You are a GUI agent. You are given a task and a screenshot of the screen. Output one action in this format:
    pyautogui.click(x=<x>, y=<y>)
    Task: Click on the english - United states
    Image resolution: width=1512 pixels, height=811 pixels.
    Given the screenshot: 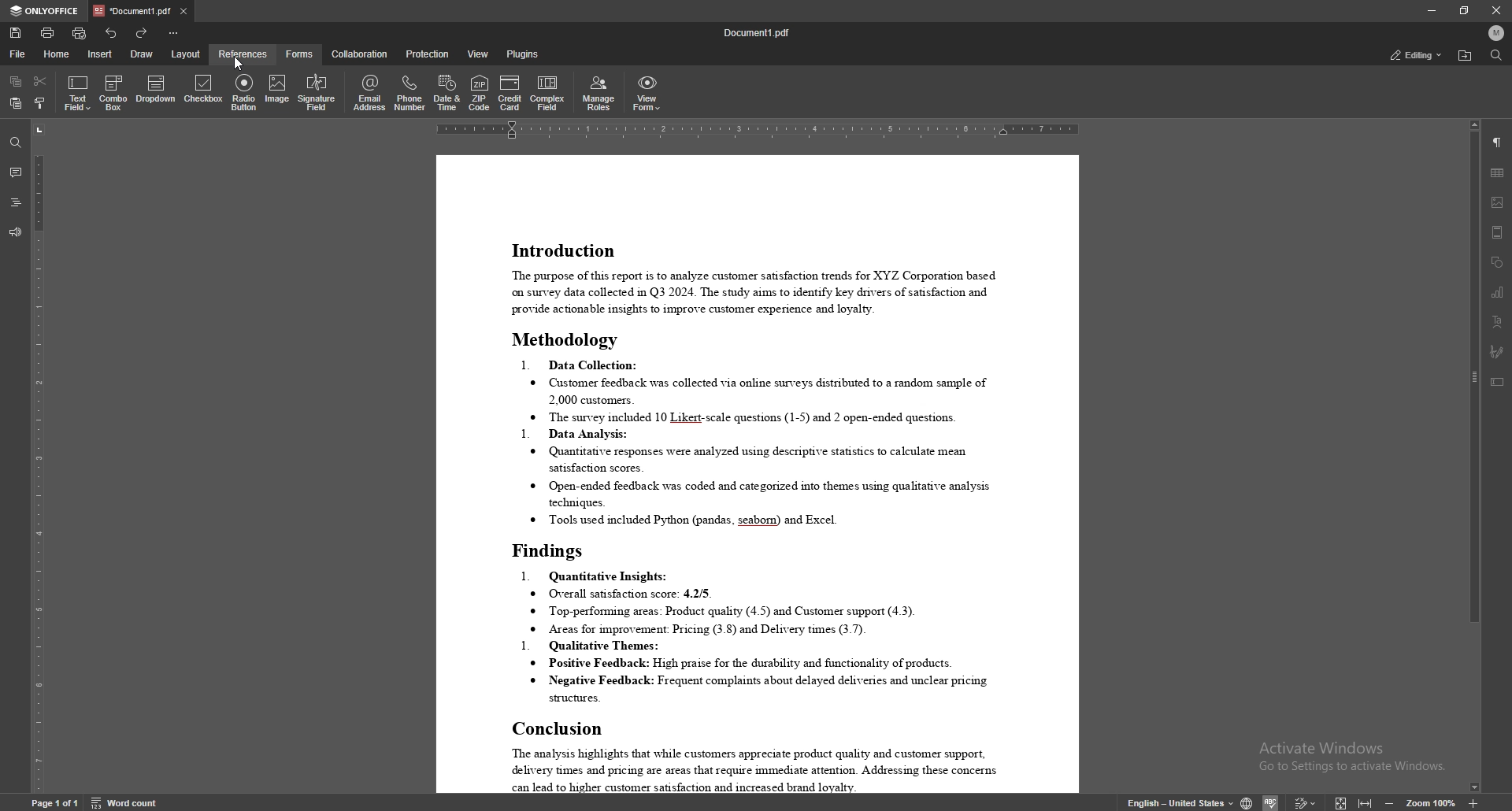 What is the action you would take?
    pyautogui.click(x=1176, y=803)
    